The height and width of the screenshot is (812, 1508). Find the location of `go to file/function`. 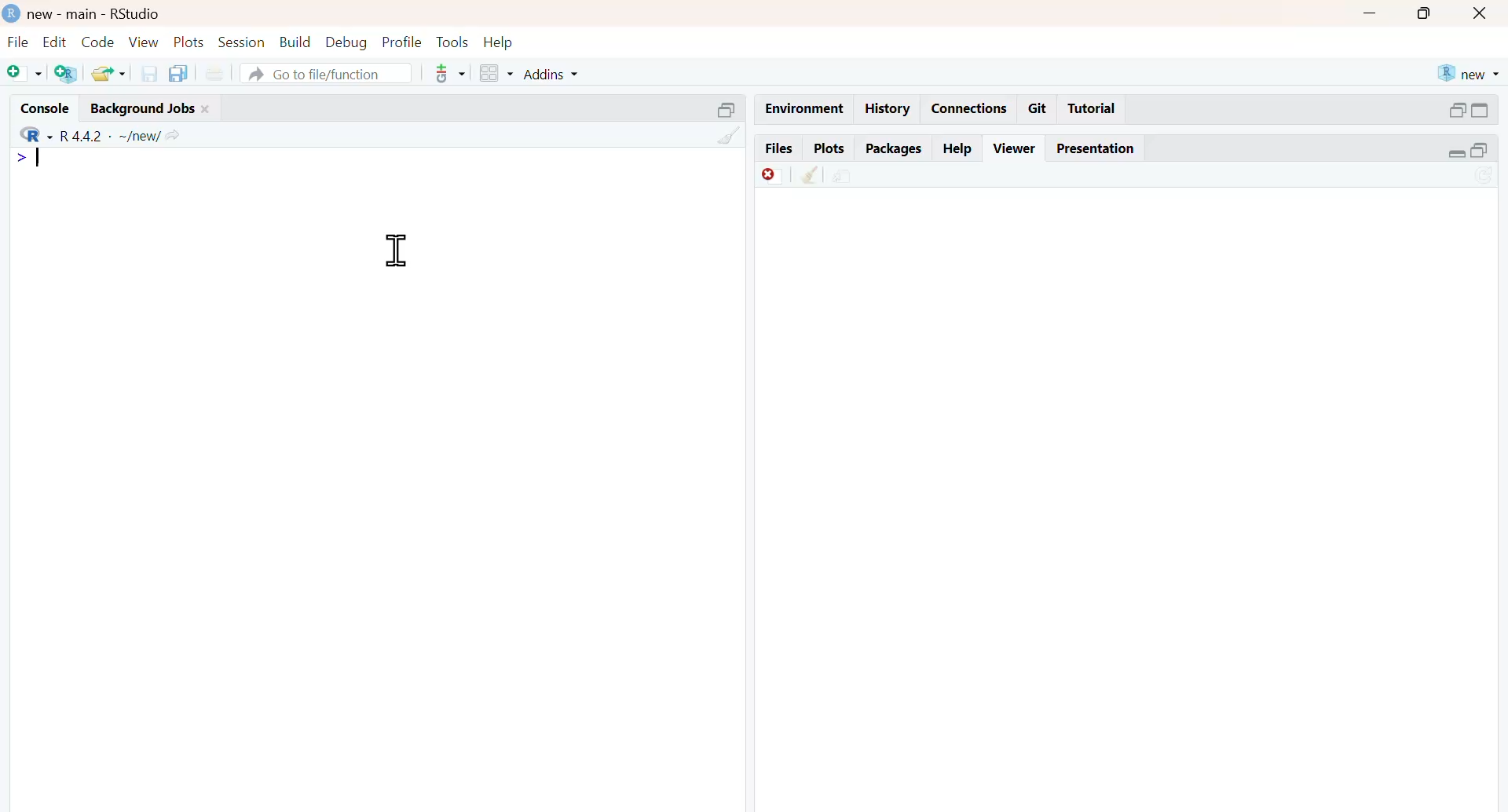

go to file/function is located at coordinates (327, 75).